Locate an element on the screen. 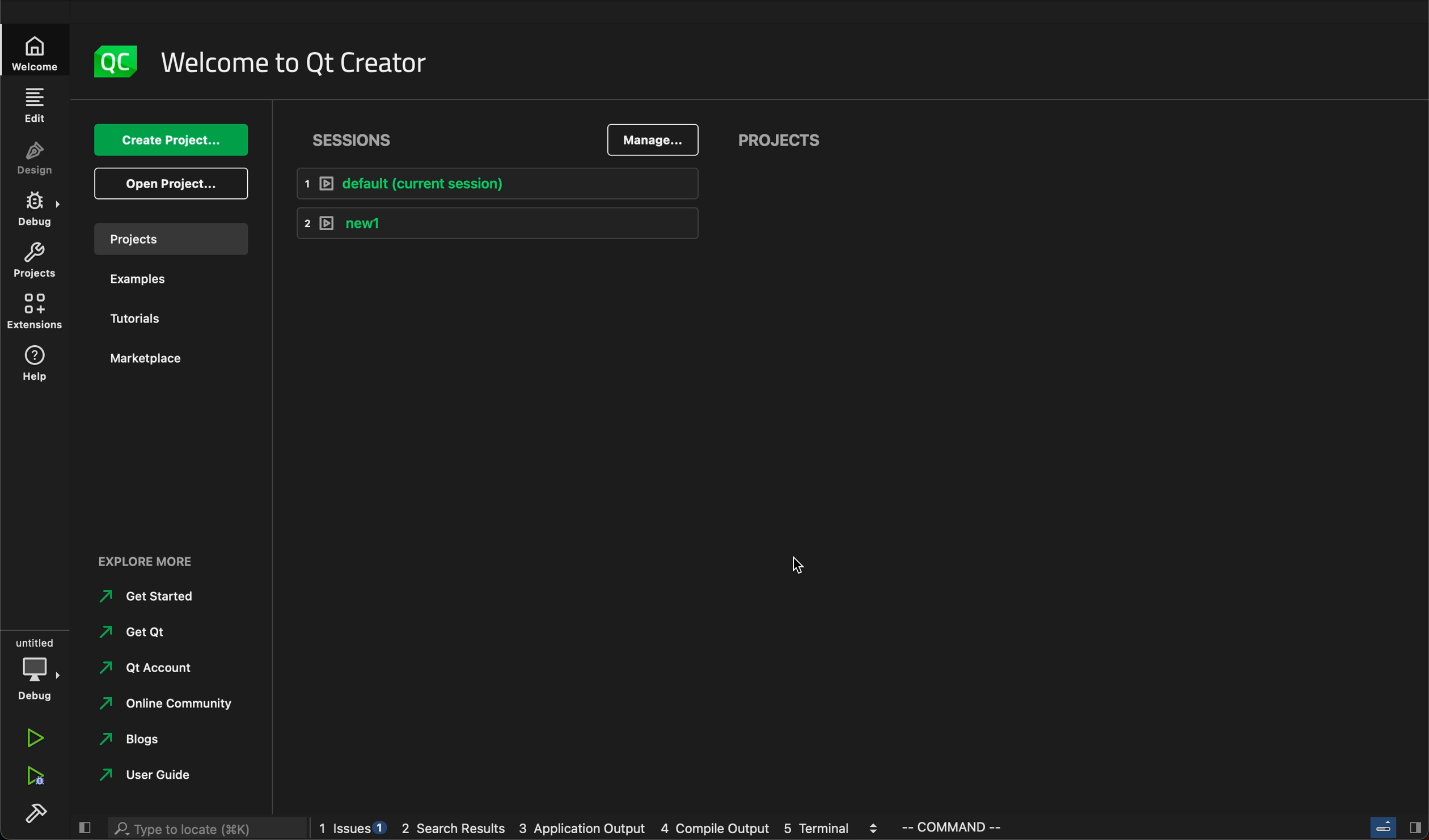 This screenshot has height=840, width=1429. close slide bar is located at coordinates (1393, 826).